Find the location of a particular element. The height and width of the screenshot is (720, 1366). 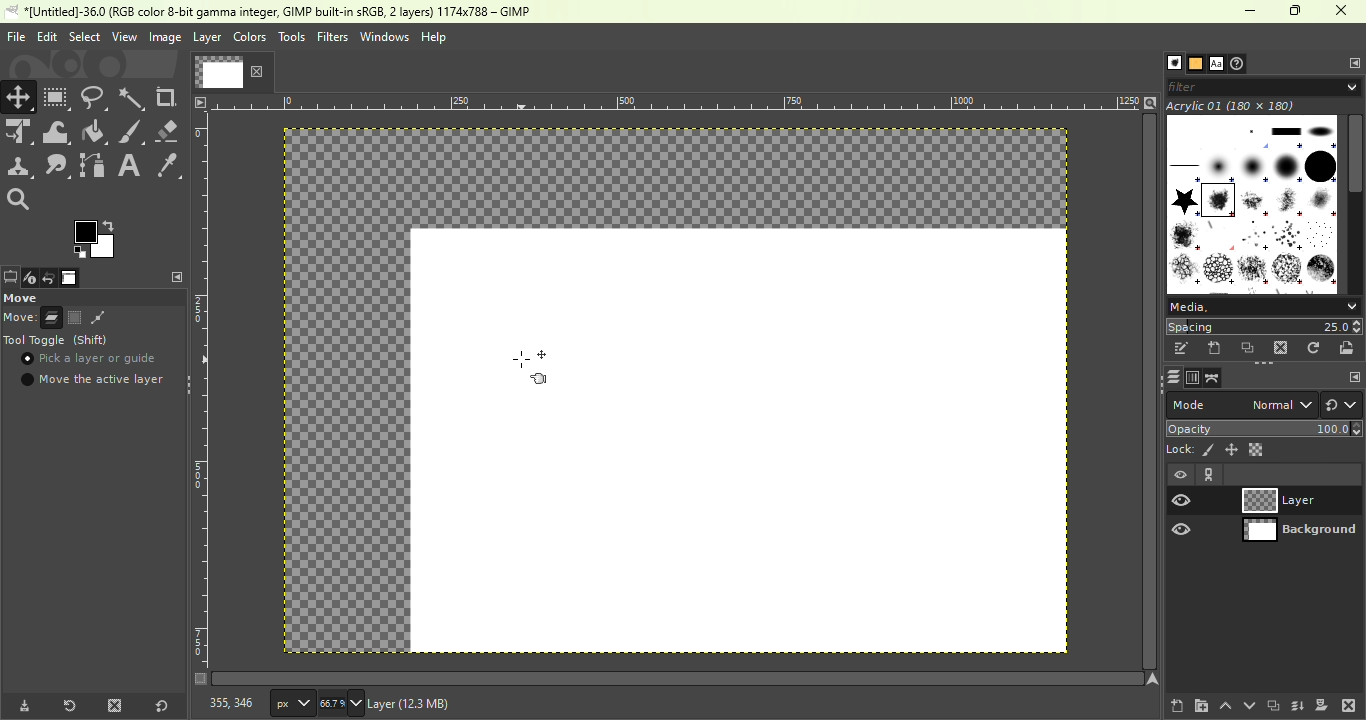

Crop tool is located at coordinates (169, 98).